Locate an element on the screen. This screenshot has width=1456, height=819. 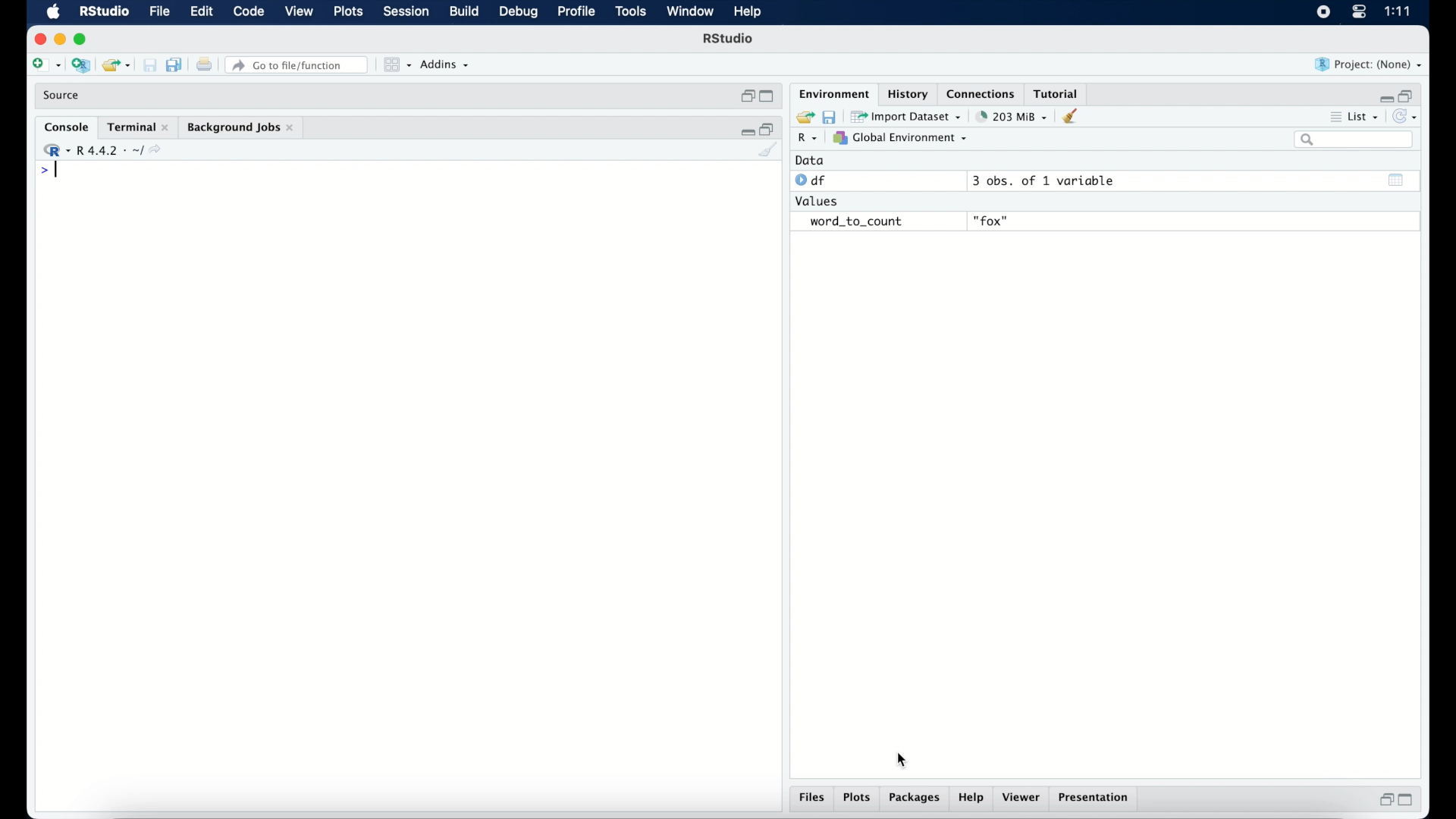
close is located at coordinates (38, 39).